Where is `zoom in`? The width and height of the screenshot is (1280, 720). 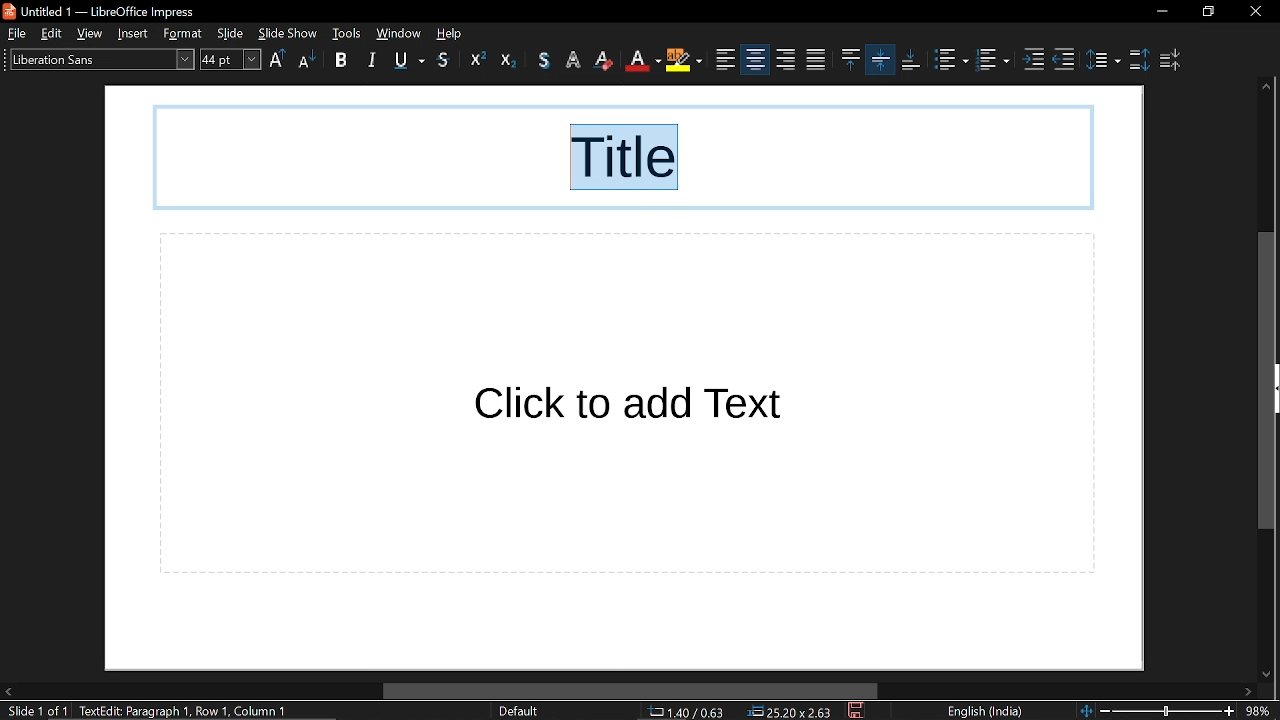
zoom in is located at coordinates (1229, 712).